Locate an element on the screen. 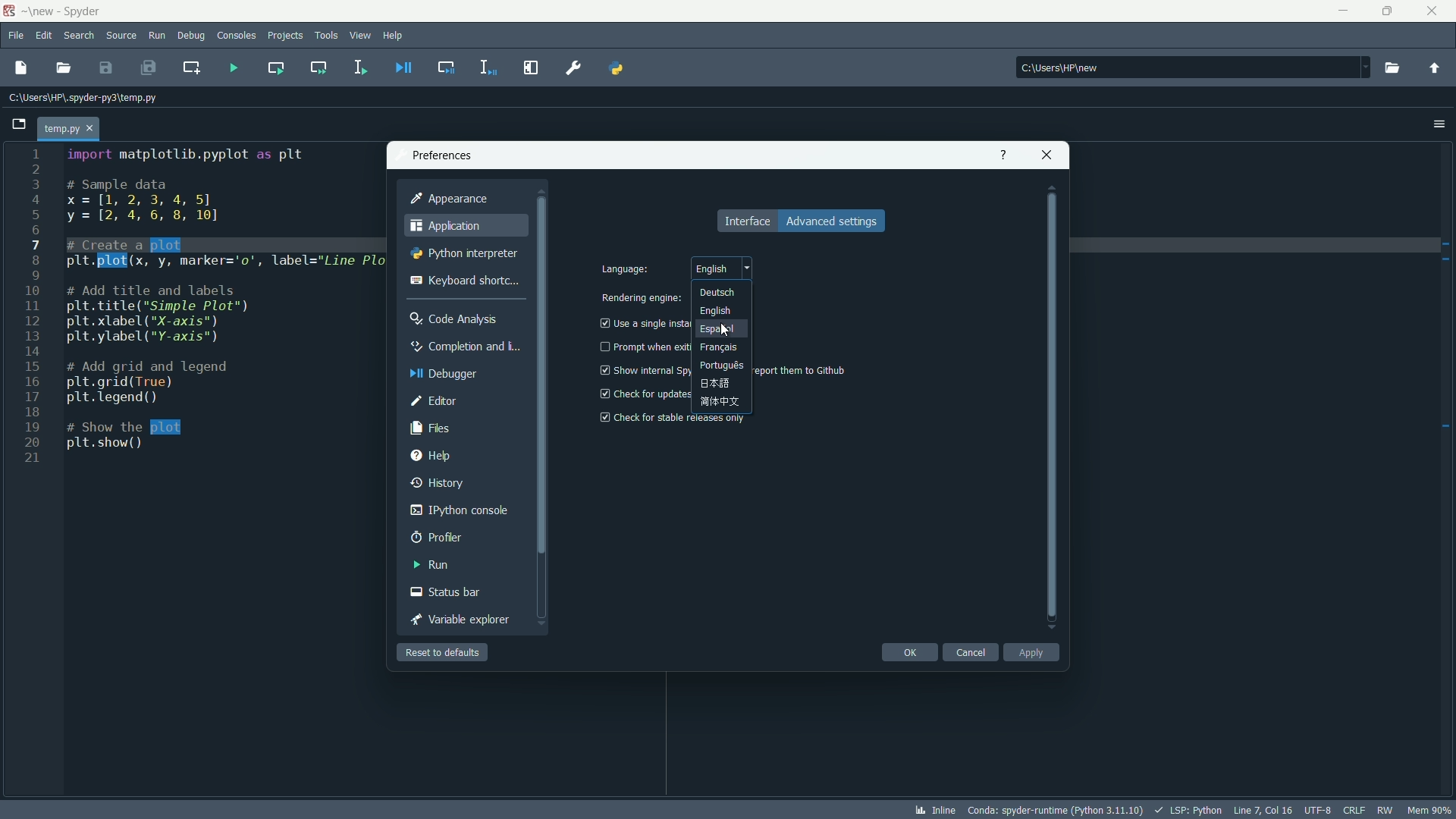 Image resolution: width=1456 pixels, height=819 pixels. preferences is located at coordinates (443, 155).